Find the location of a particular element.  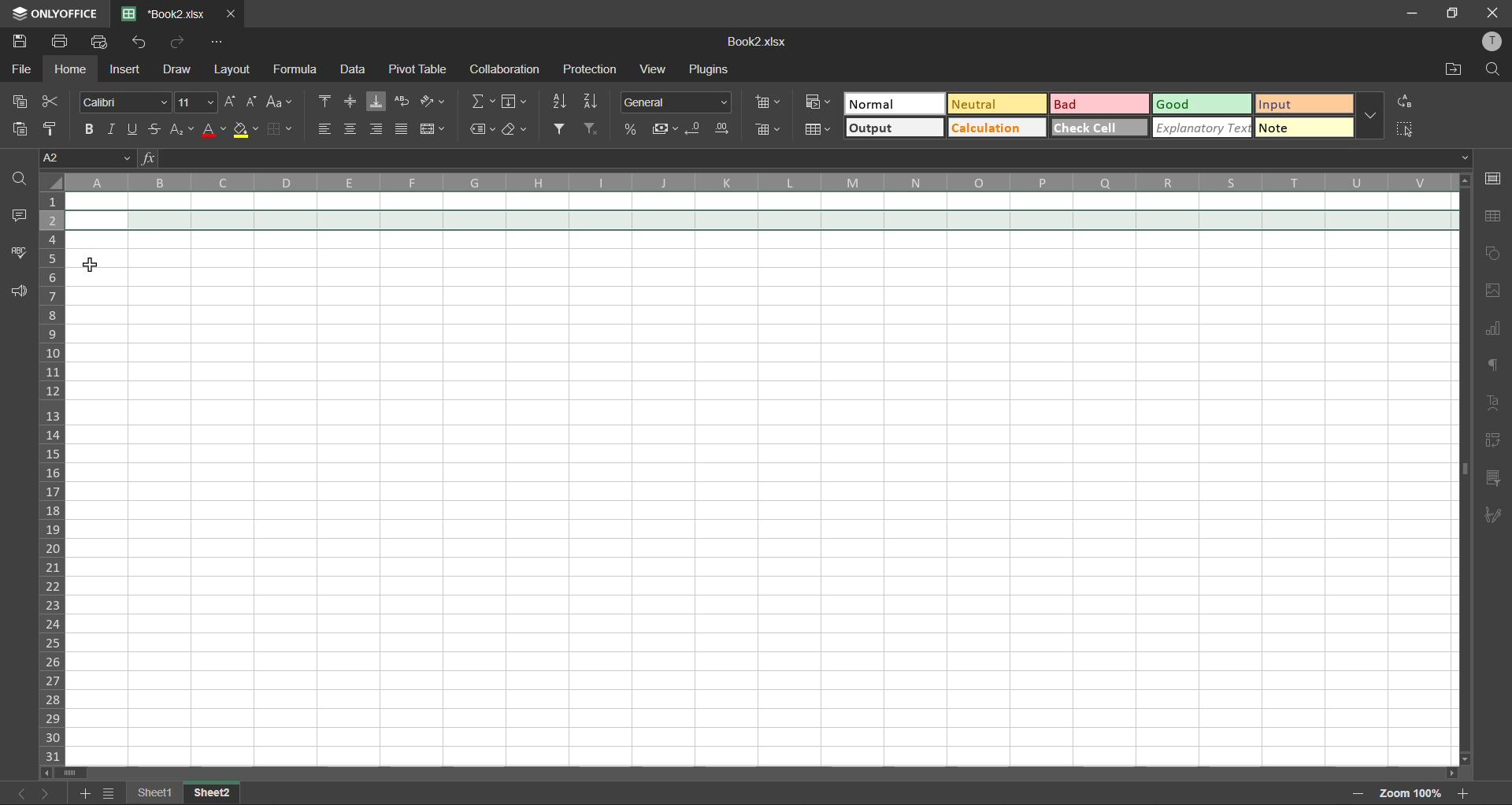

scroll bar is located at coordinates (756, 773).